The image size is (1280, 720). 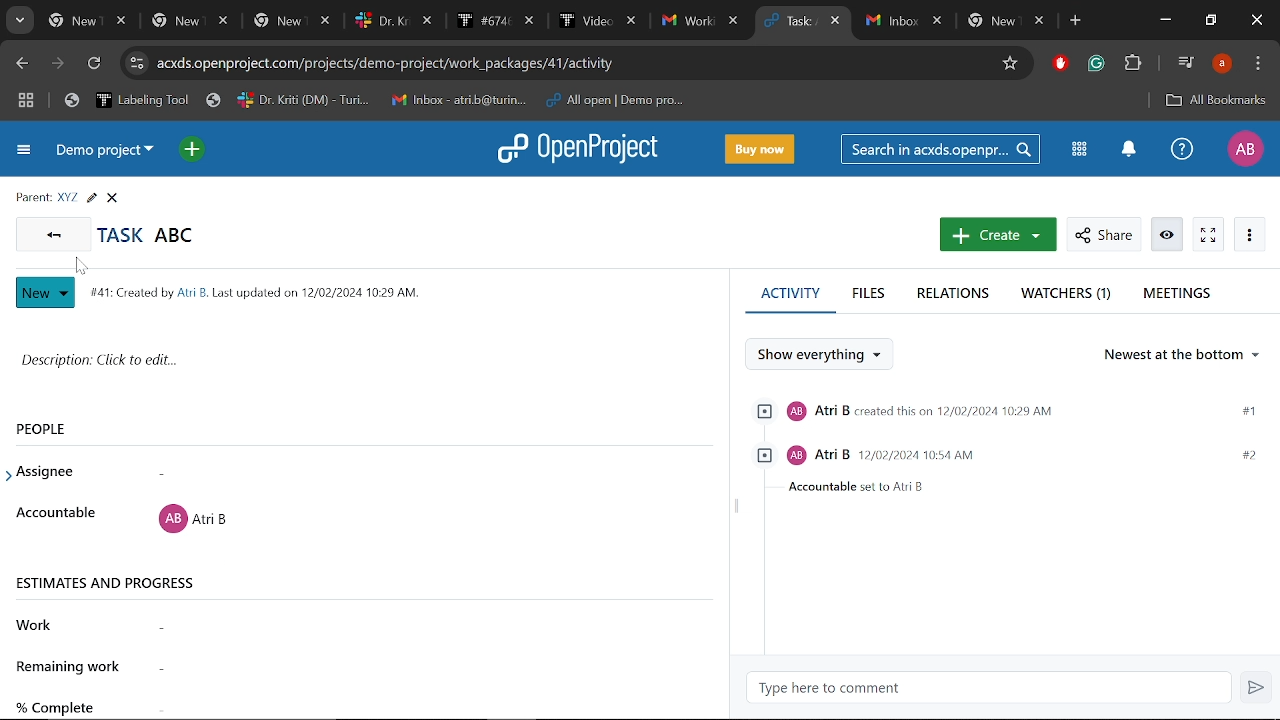 What do you see at coordinates (113, 200) in the screenshot?
I see `Close` at bounding box center [113, 200].